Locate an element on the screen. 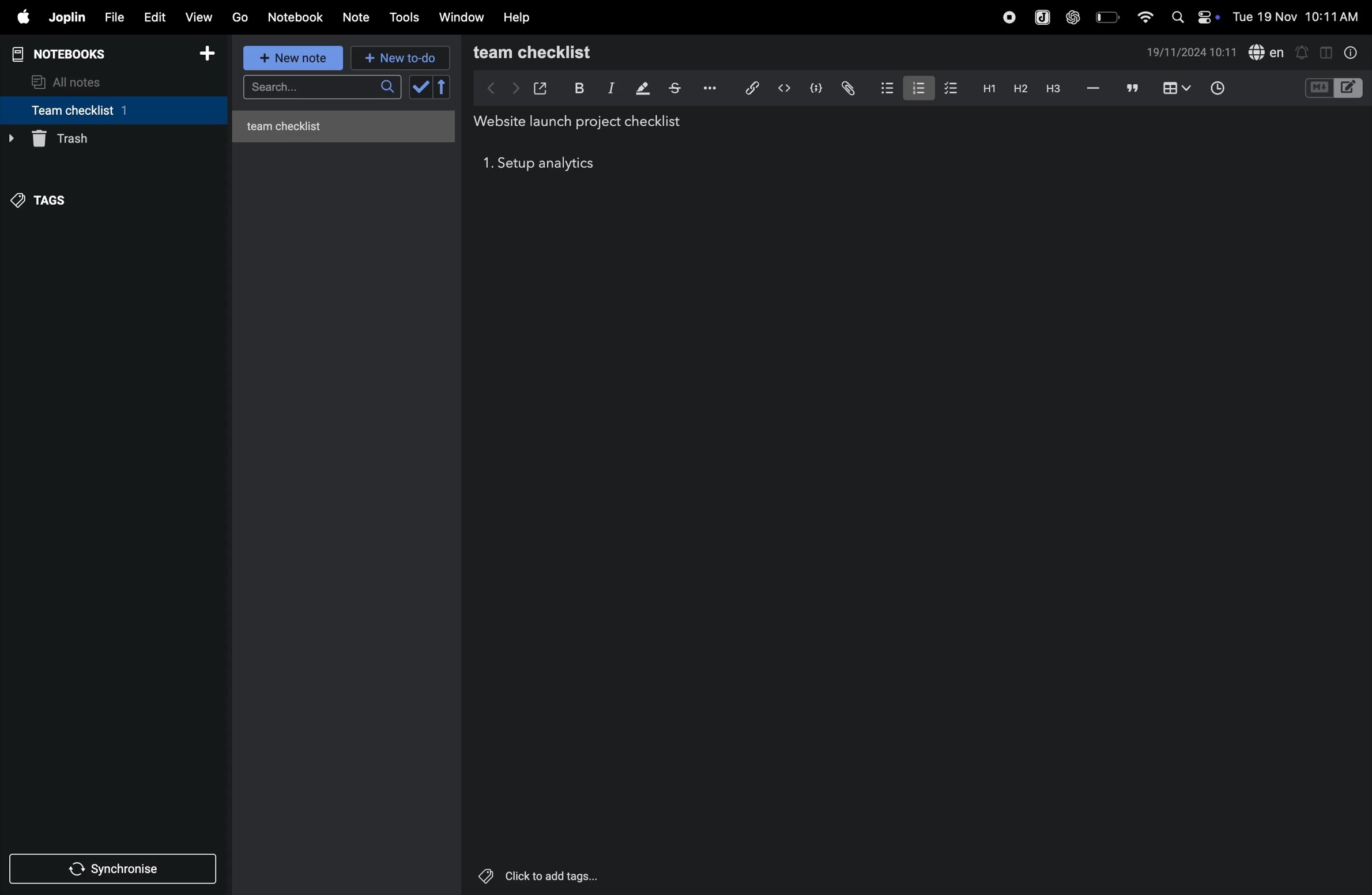  strike through is located at coordinates (674, 88).